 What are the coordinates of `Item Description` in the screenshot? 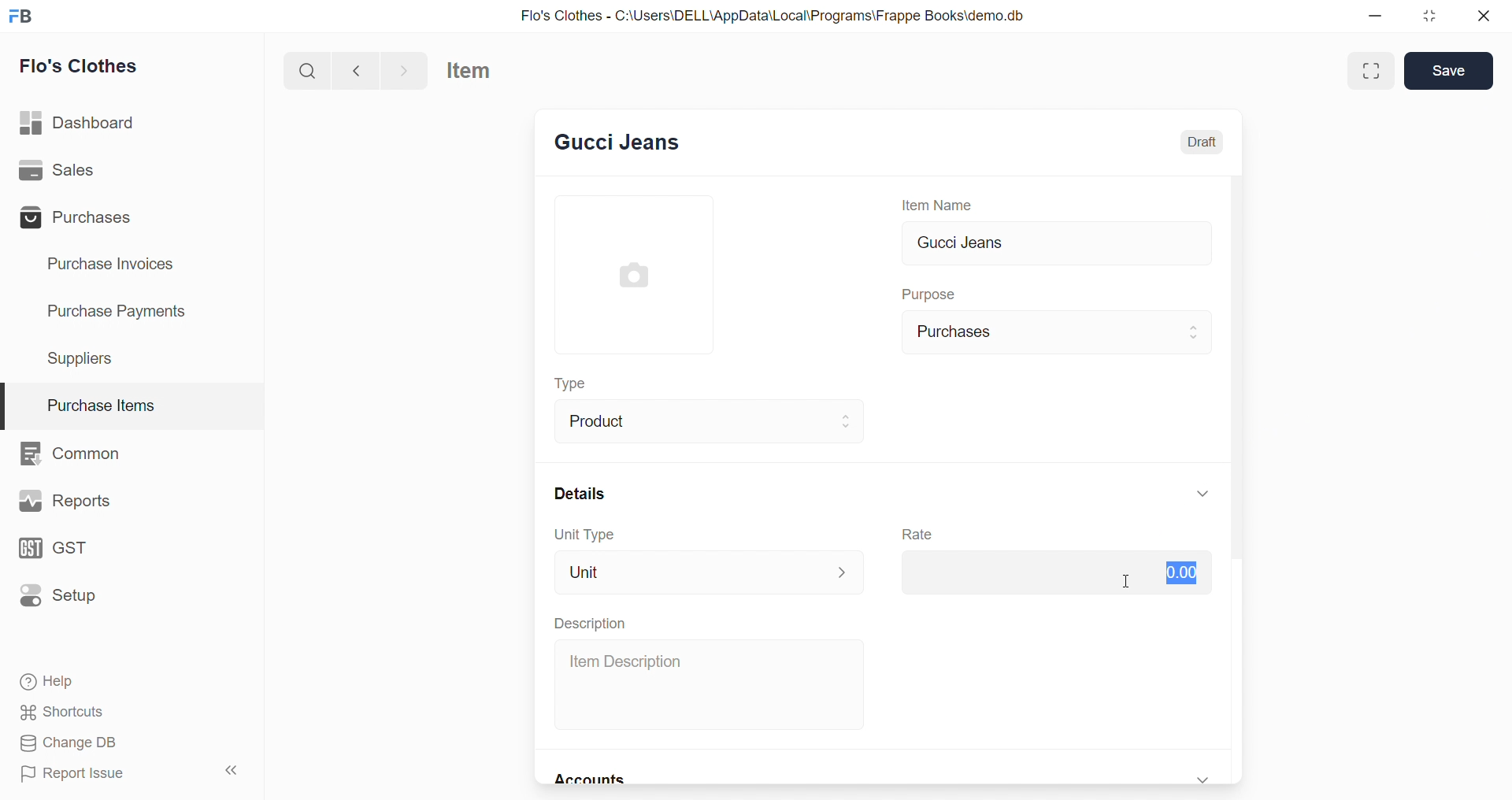 It's located at (713, 685).